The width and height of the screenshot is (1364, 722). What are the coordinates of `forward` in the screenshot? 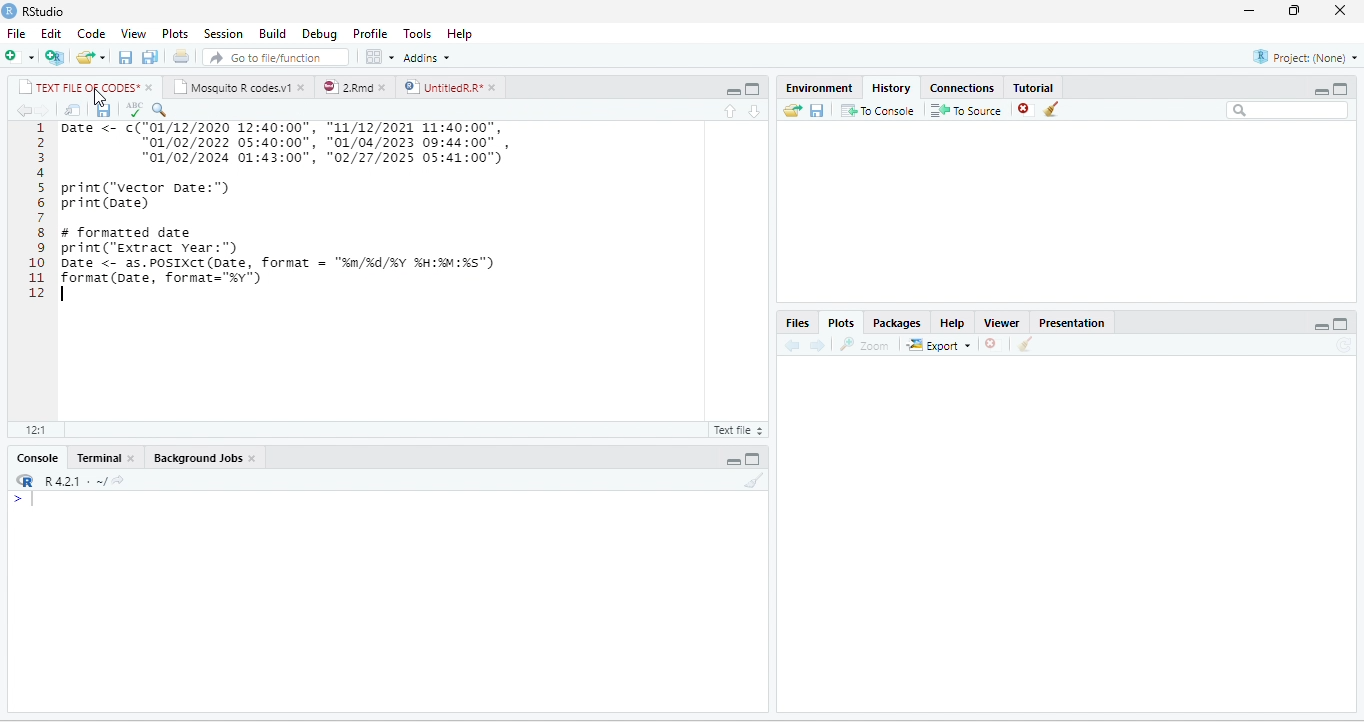 It's located at (817, 345).